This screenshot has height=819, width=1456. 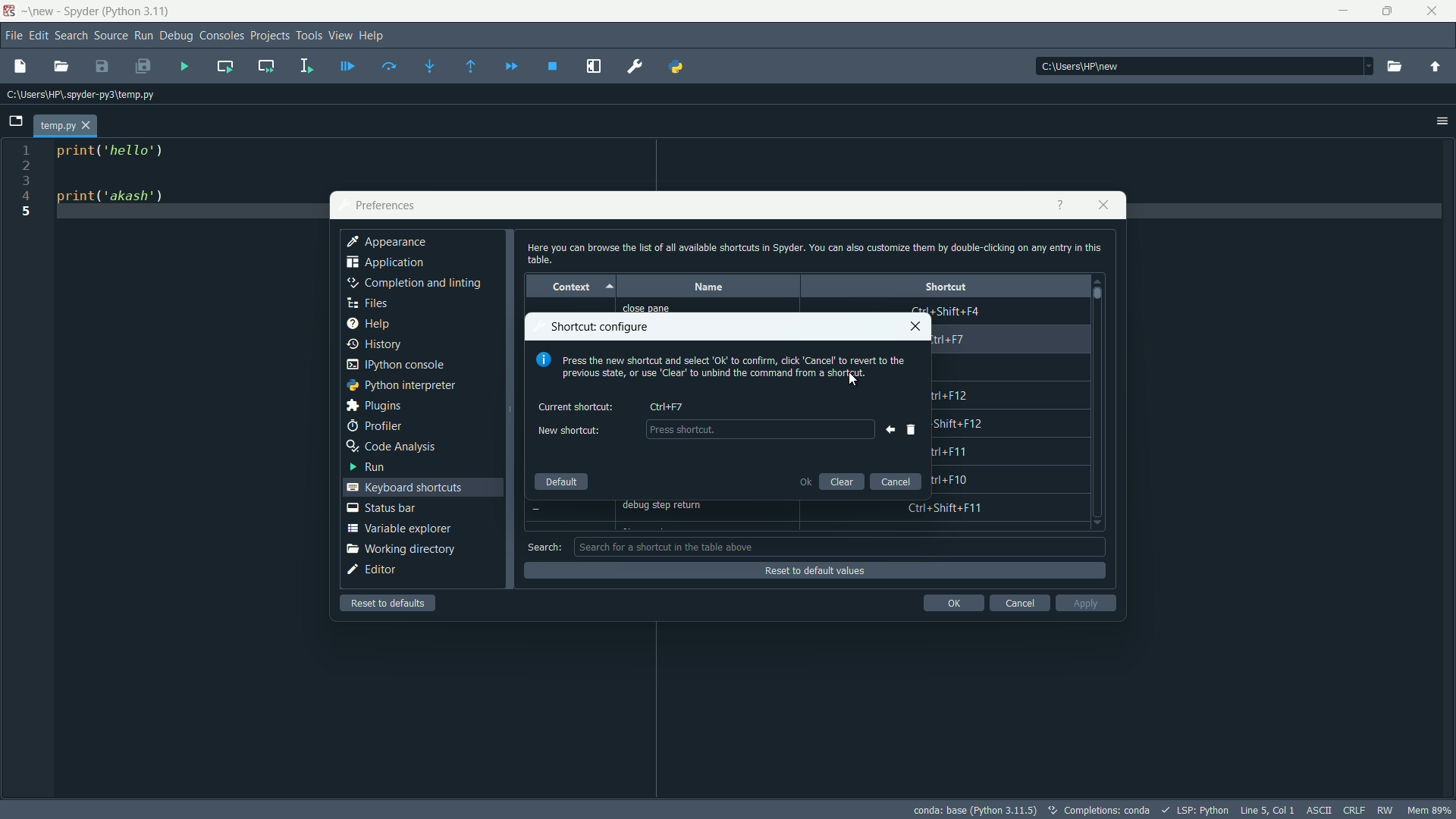 I want to click on cancel, so click(x=1018, y=603).